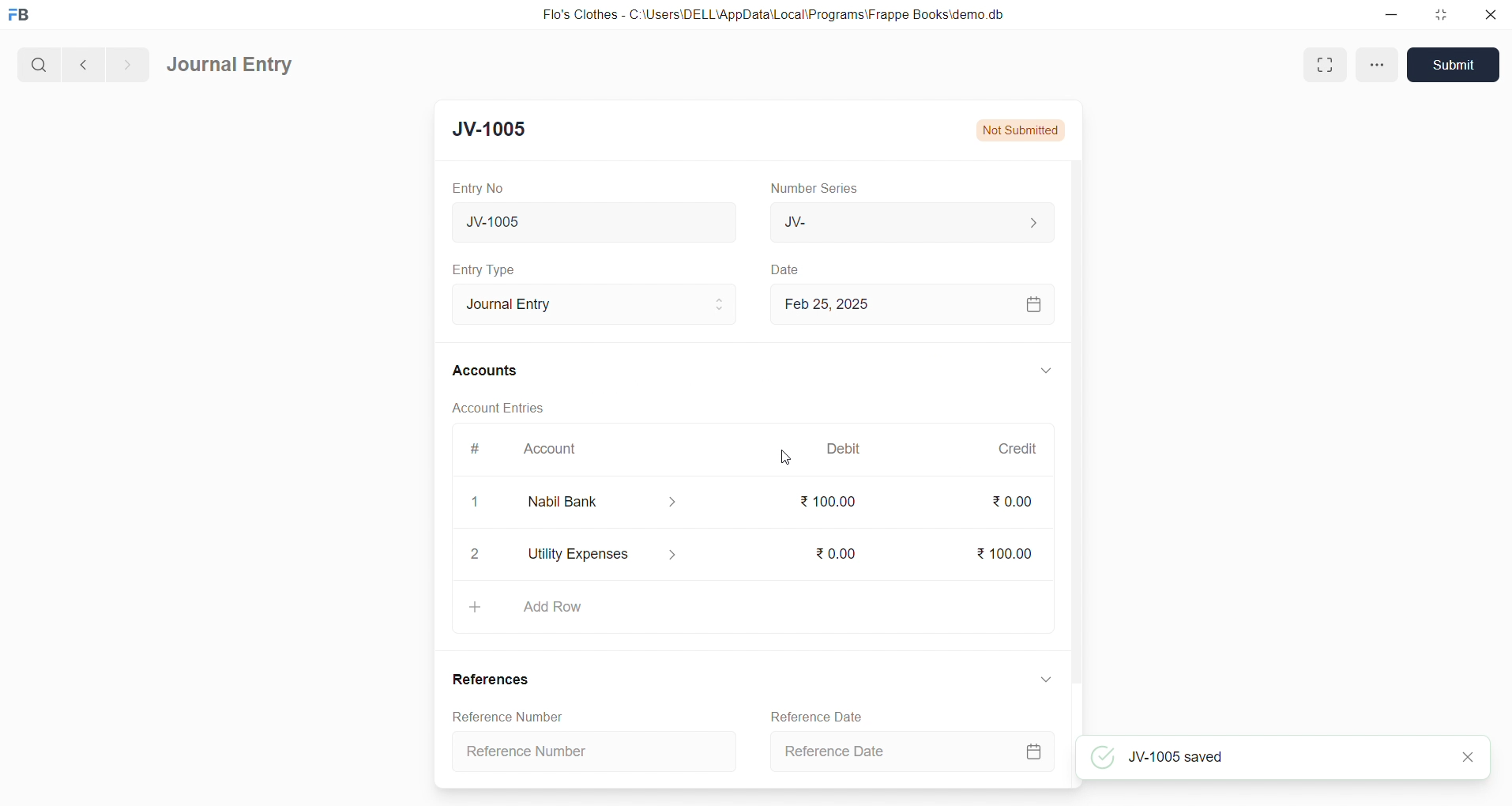 The height and width of the screenshot is (806, 1512). I want to click on Reference Number, so click(599, 750).